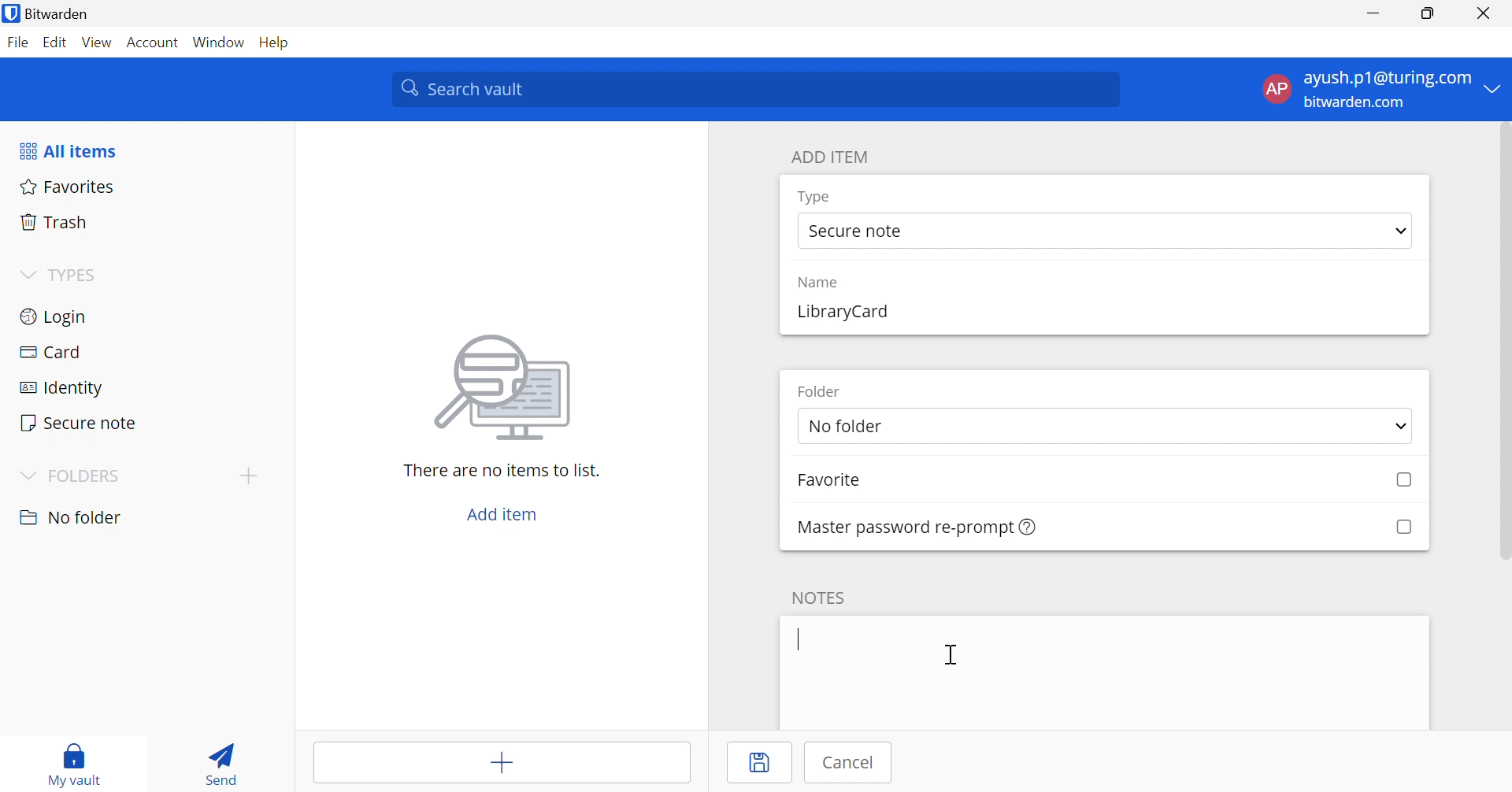  Describe the element at coordinates (824, 281) in the screenshot. I see `` at that location.